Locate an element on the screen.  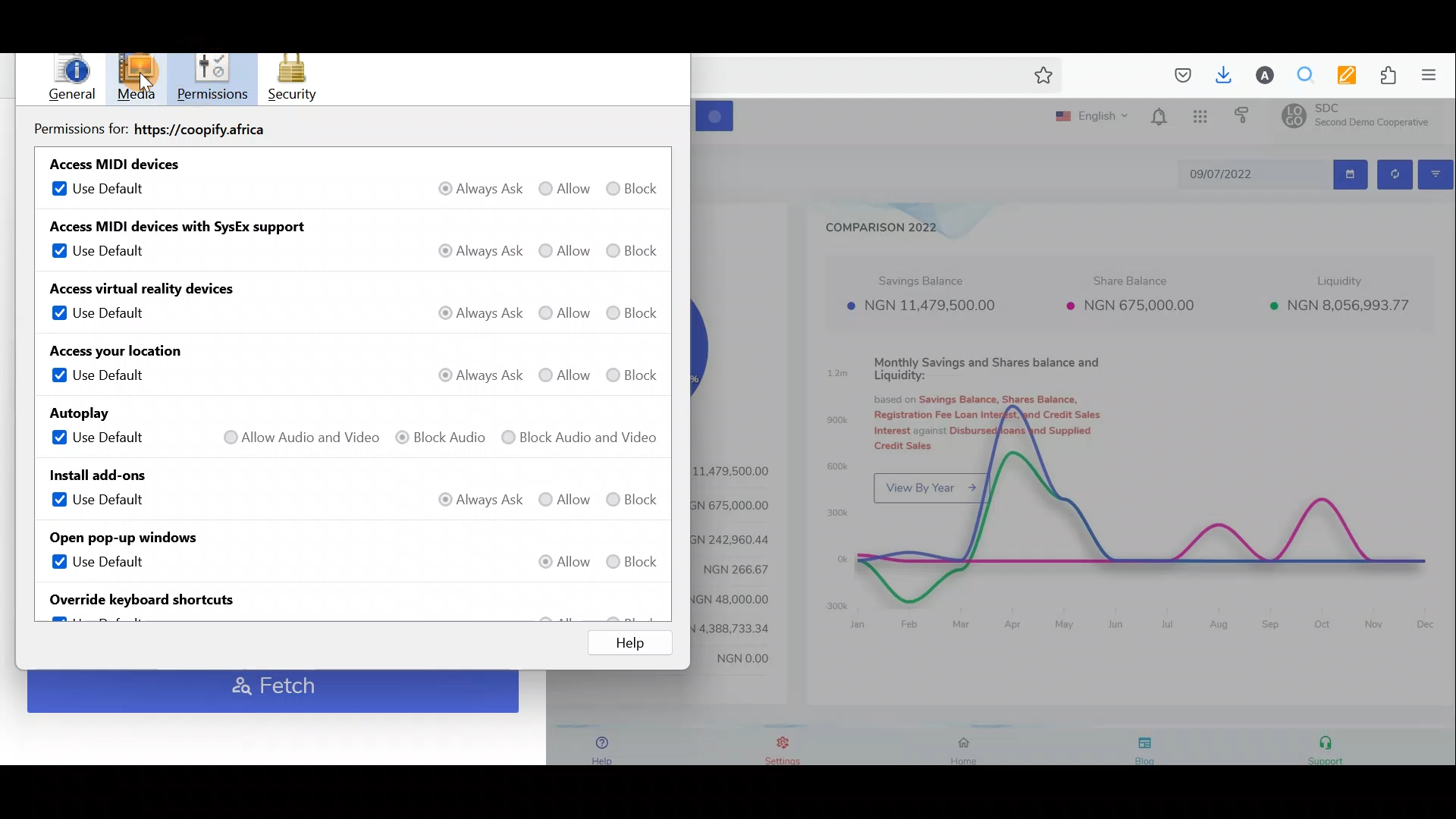
Block is located at coordinates (632, 500).